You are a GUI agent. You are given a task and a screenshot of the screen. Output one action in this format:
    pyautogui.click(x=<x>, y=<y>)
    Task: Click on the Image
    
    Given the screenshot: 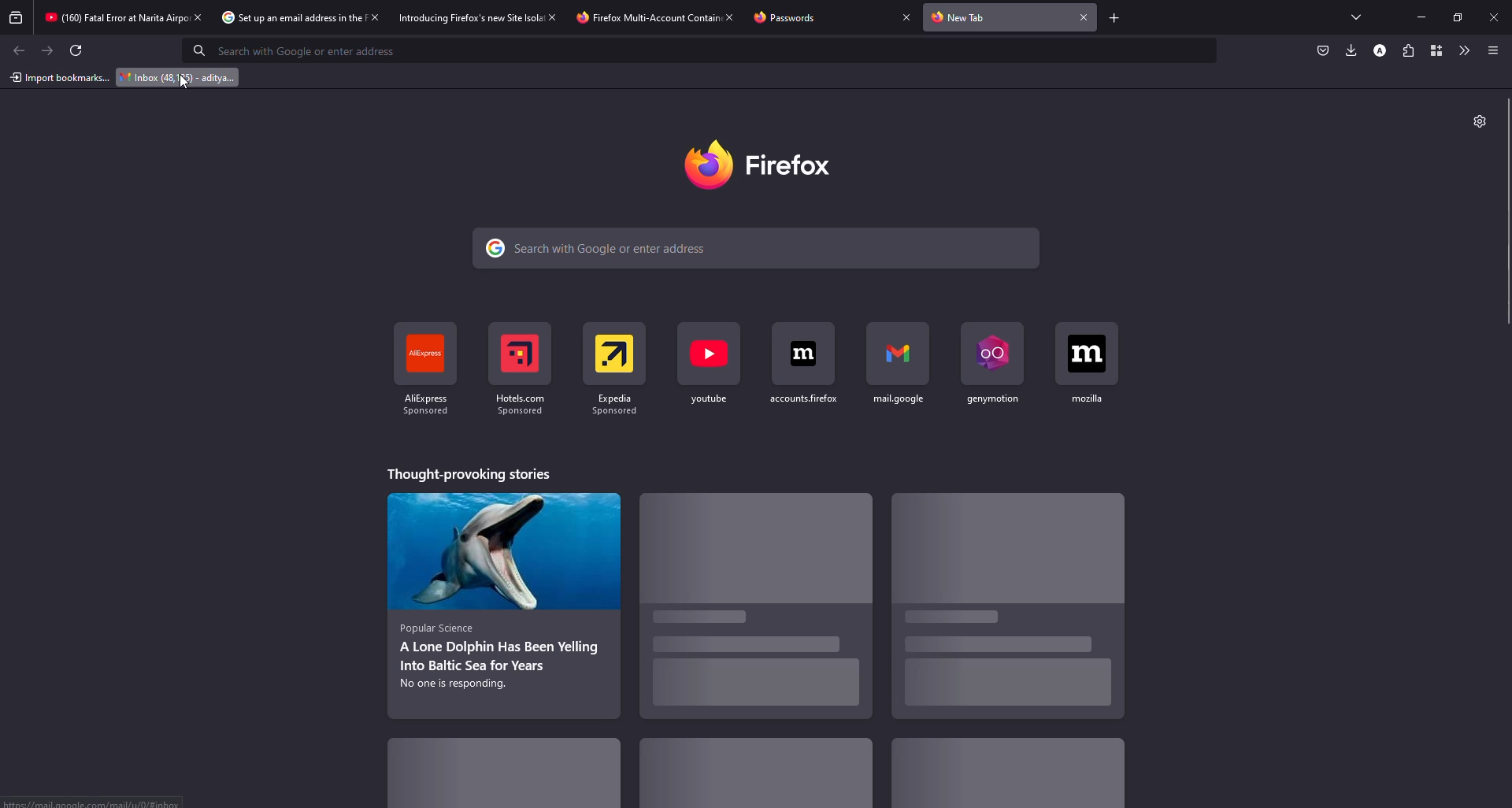 What is the action you would take?
    pyautogui.click(x=998, y=547)
    